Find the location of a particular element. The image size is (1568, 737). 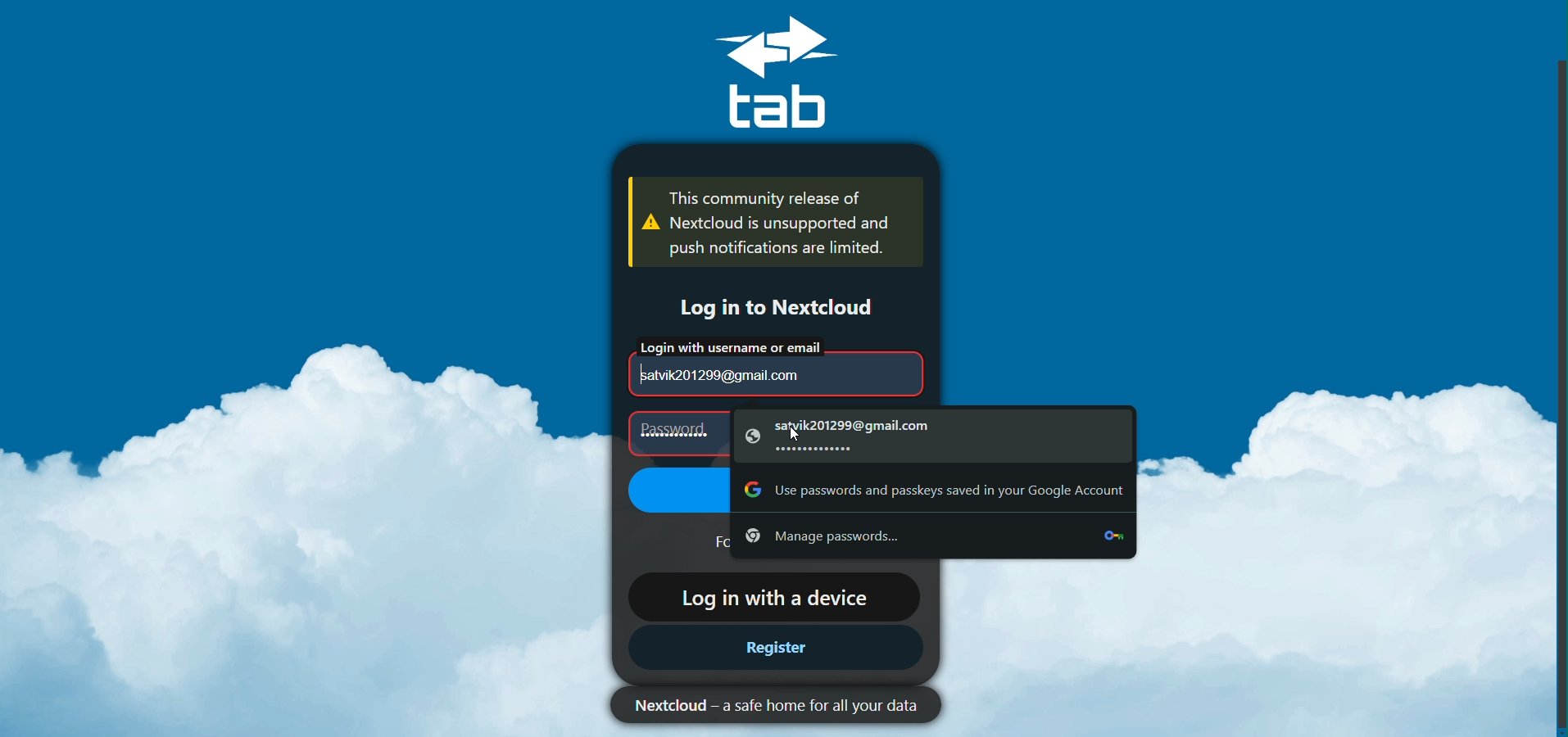

Log in with a device is located at coordinates (769, 595).